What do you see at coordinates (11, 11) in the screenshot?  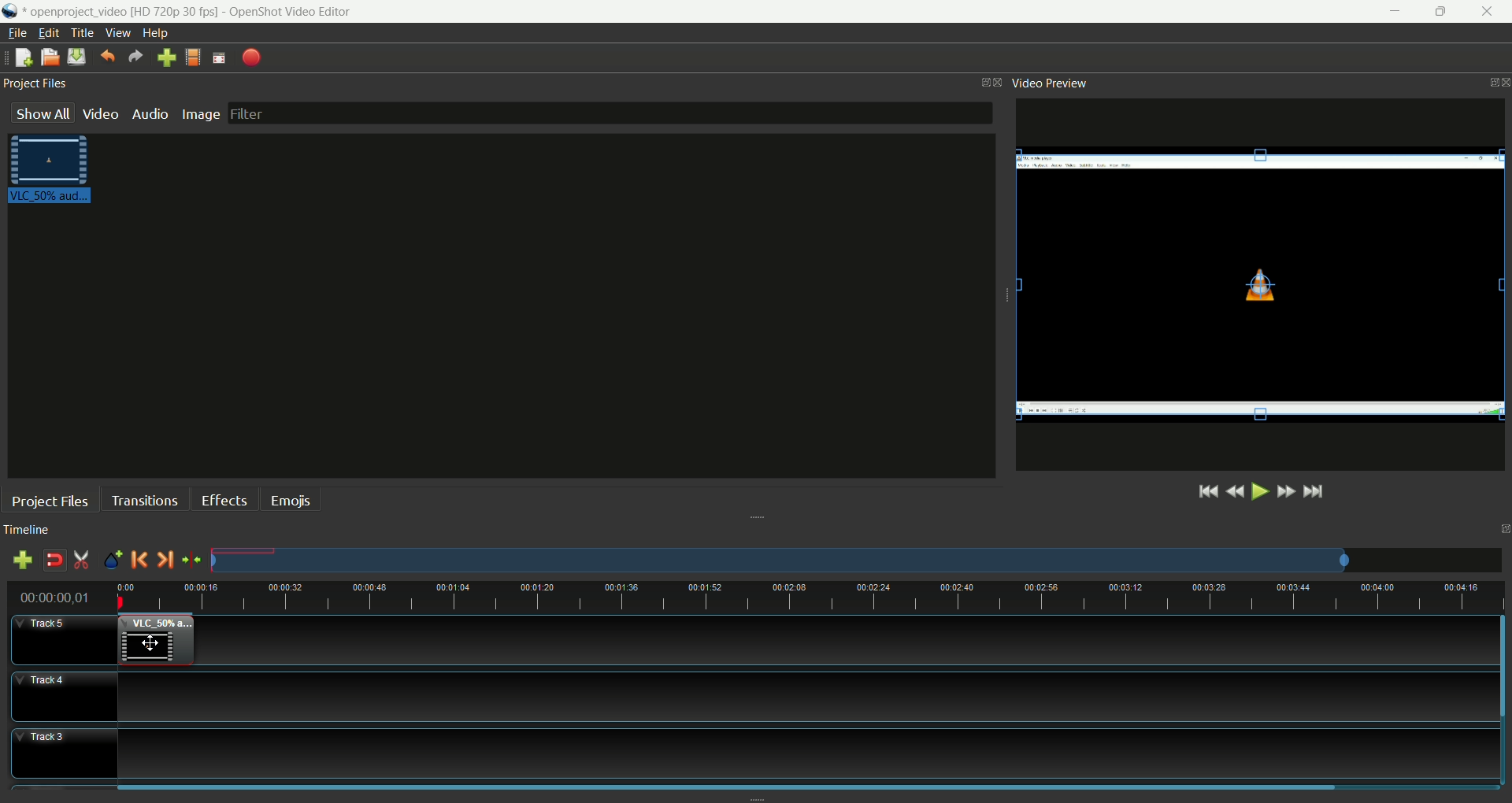 I see `logo` at bounding box center [11, 11].